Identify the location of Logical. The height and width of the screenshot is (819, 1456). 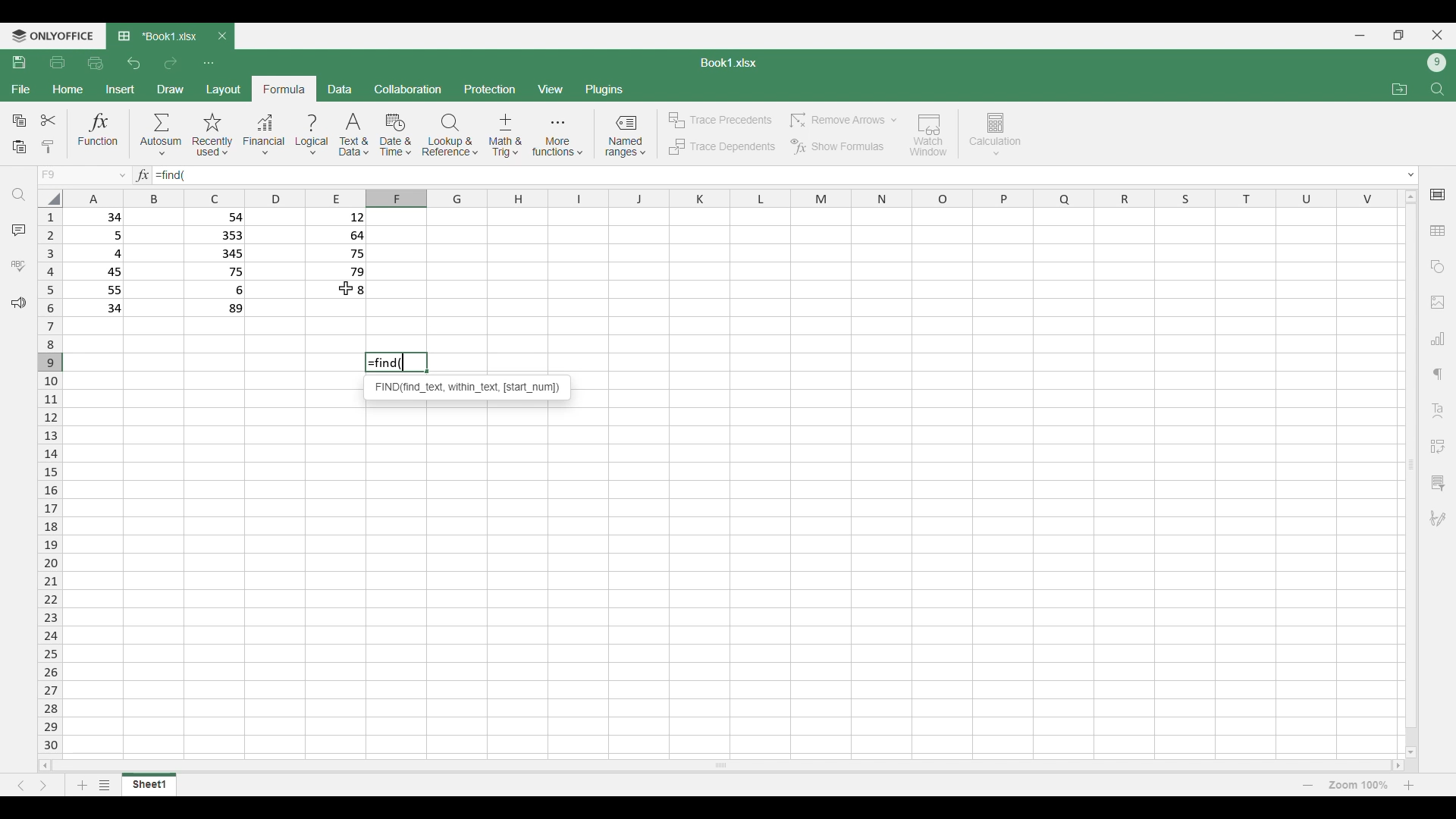
(312, 135).